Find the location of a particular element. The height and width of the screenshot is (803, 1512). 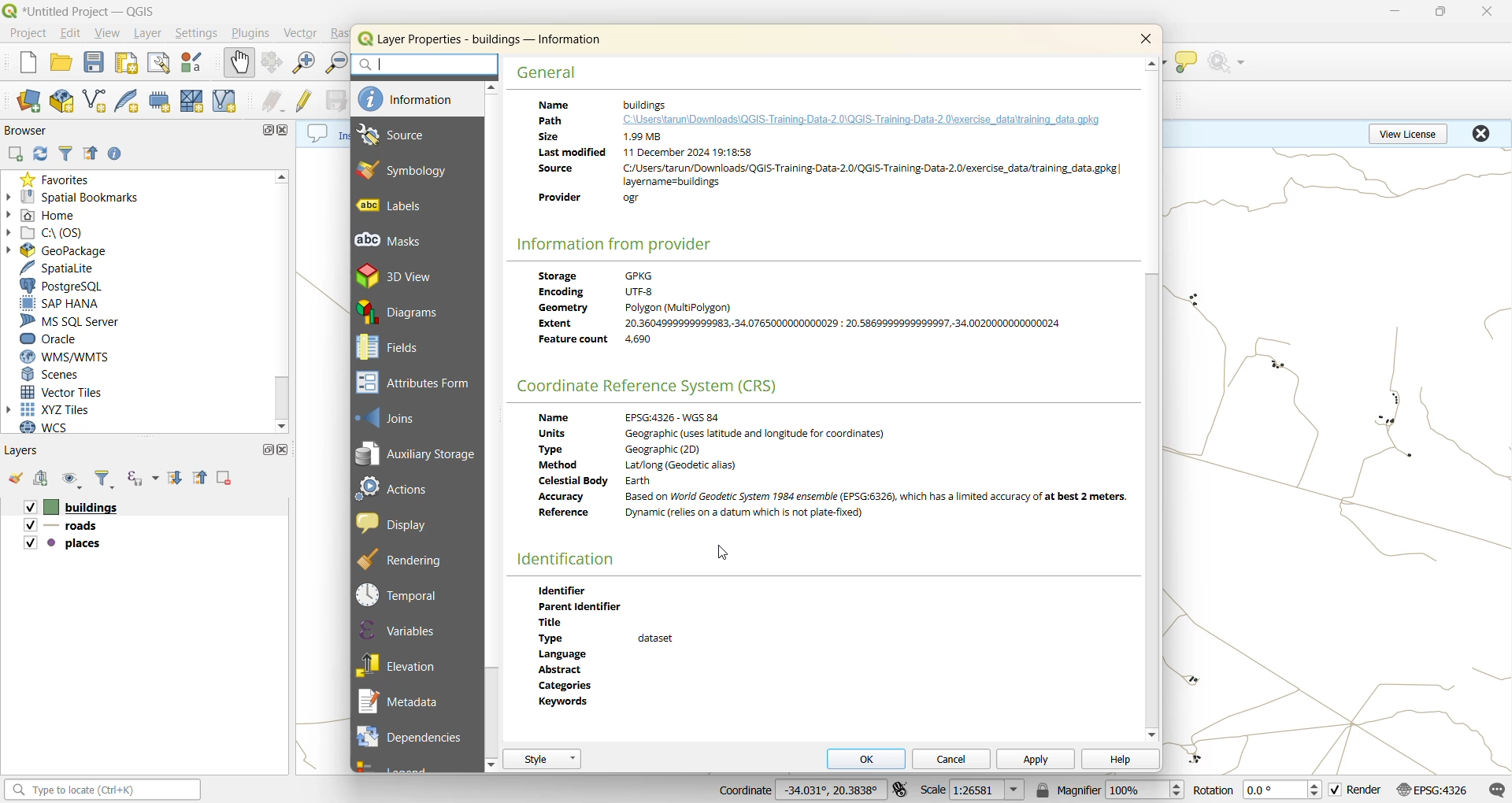

pan map is located at coordinates (239, 63).